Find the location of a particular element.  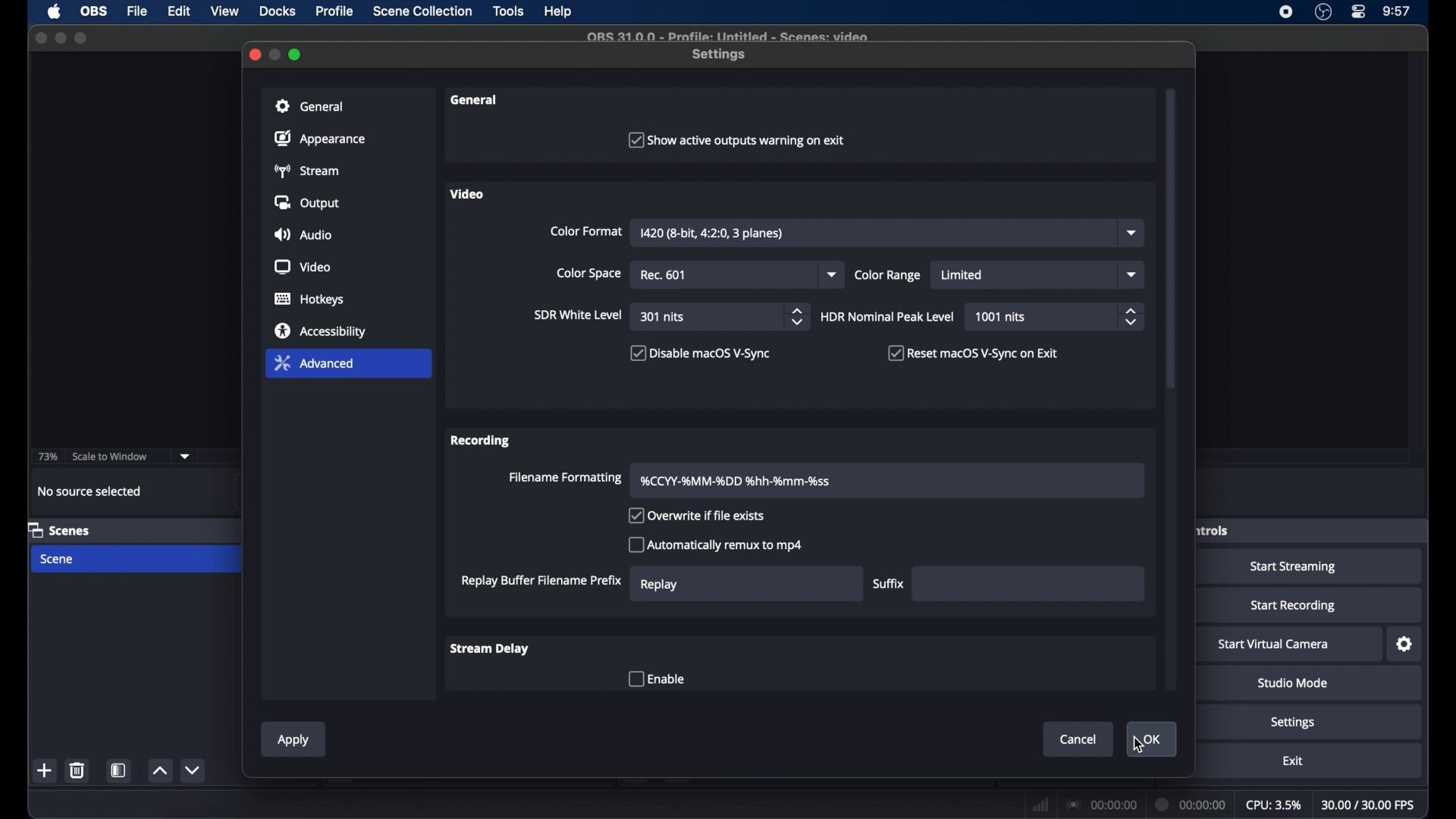

settings is located at coordinates (1405, 645).